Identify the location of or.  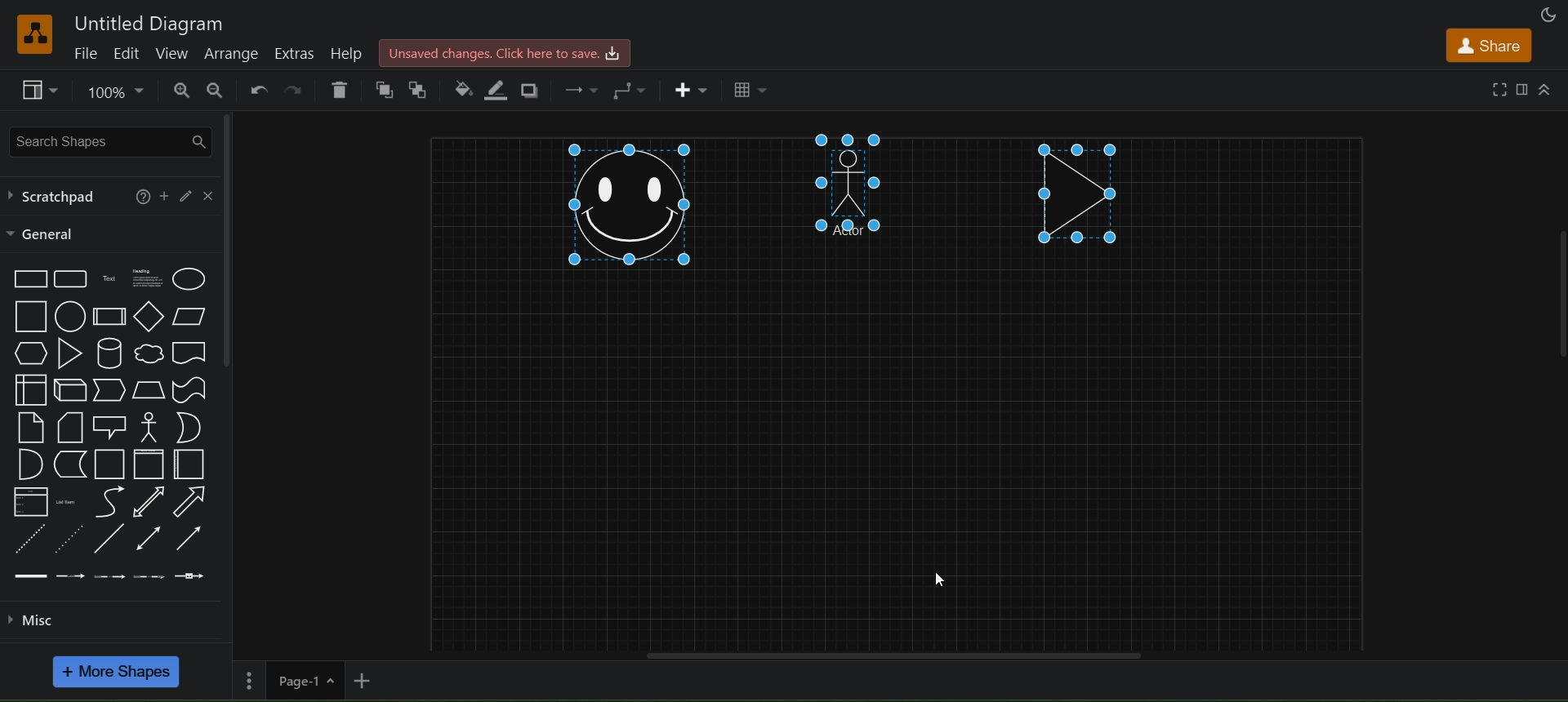
(185, 427).